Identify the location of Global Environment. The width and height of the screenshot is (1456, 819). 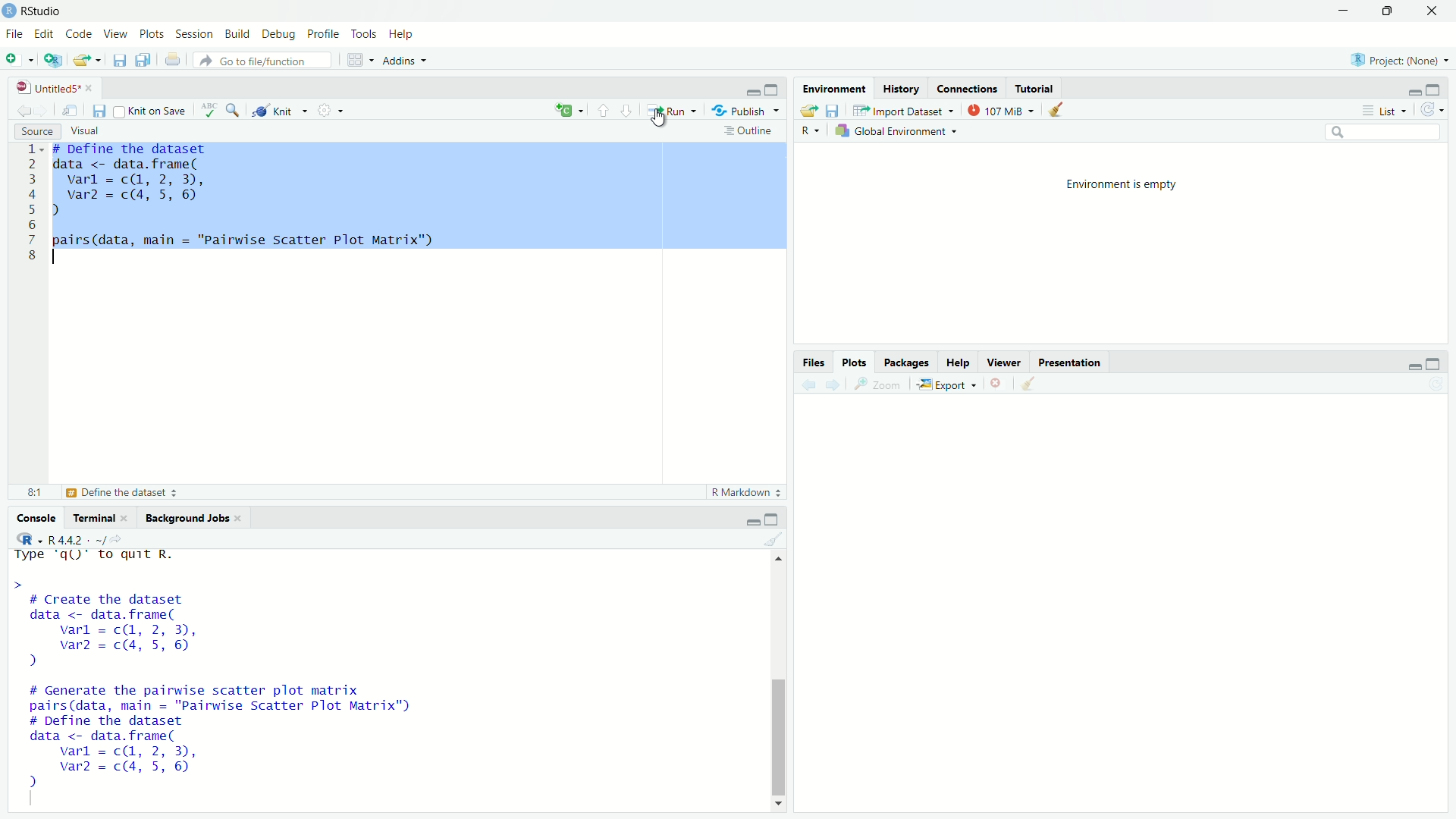
(899, 130).